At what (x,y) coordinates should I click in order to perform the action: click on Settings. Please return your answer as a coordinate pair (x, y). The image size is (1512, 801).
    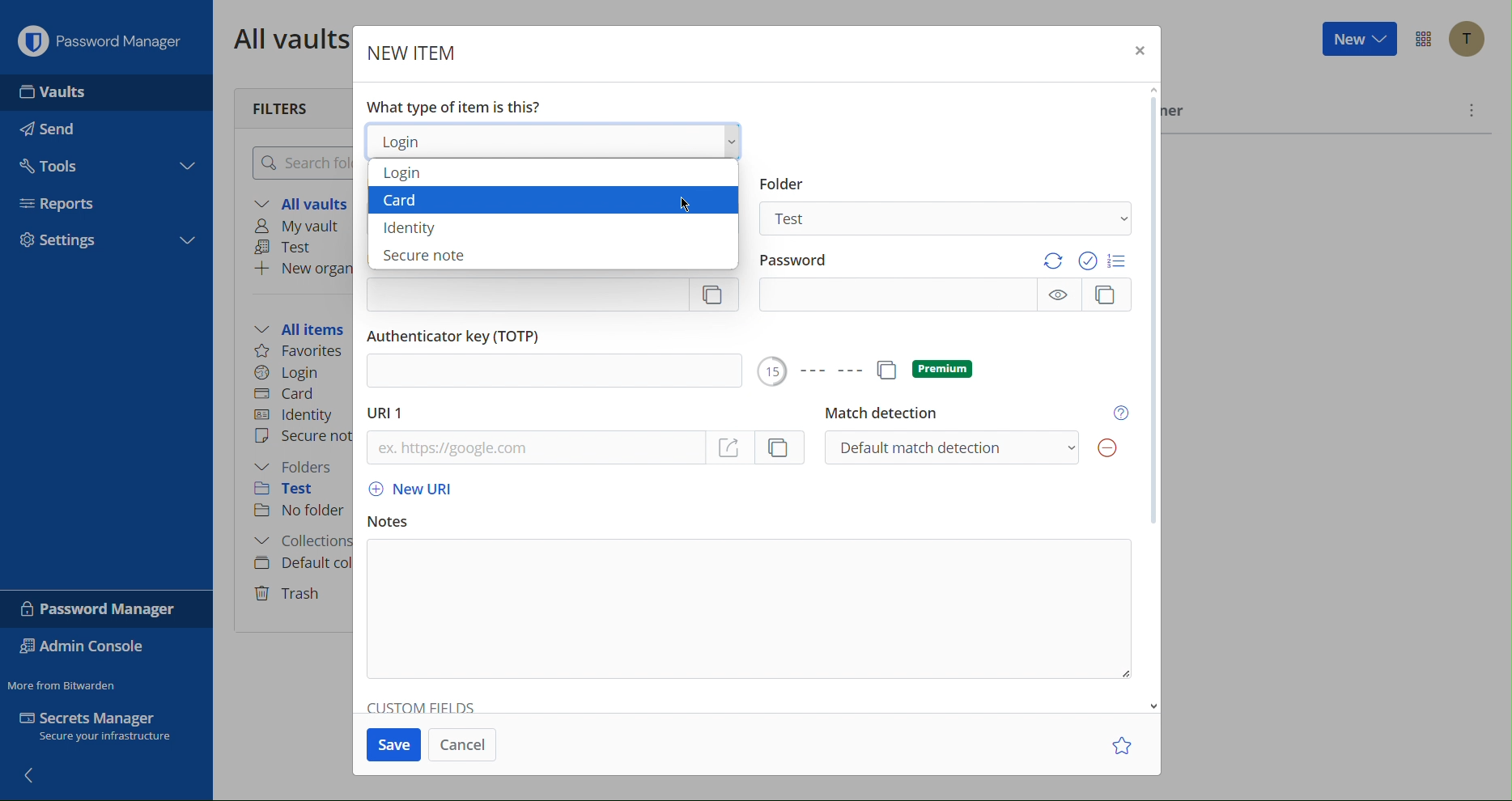
    Looking at the image, I should click on (101, 239).